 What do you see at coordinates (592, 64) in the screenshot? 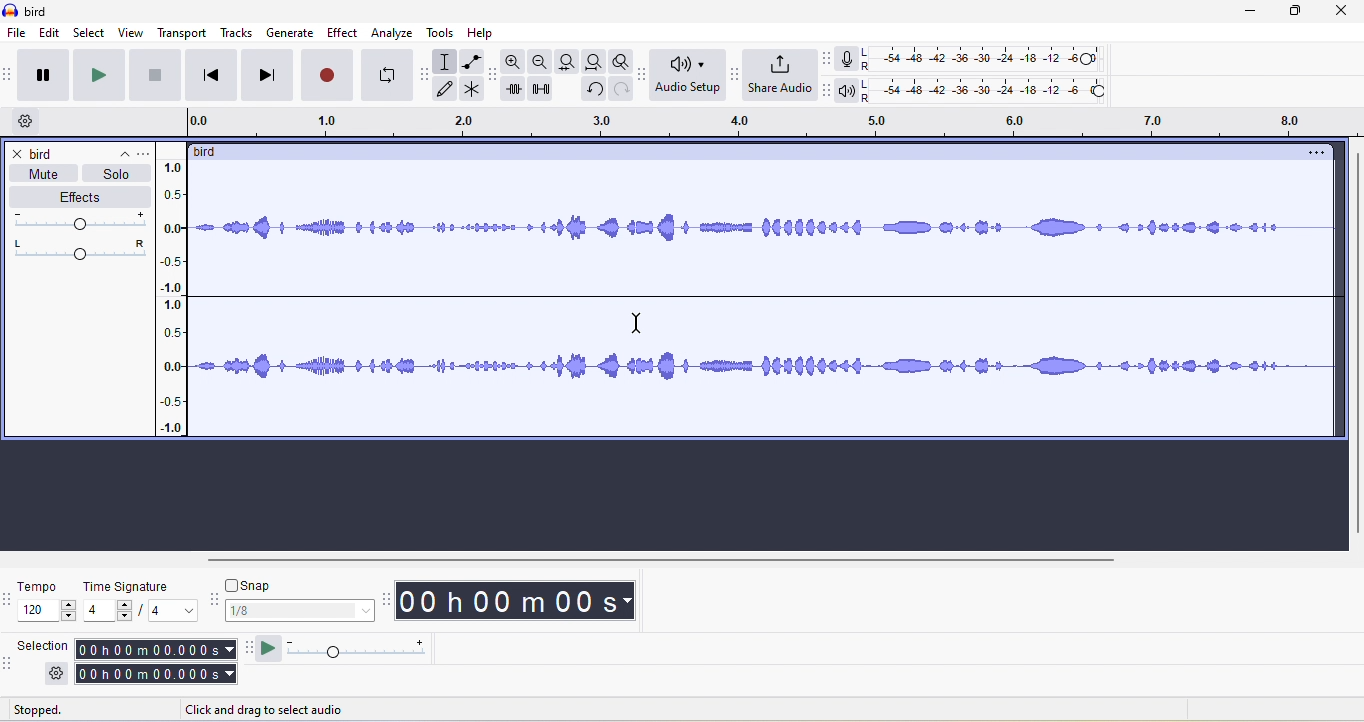
I see `fit project to width` at bounding box center [592, 64].